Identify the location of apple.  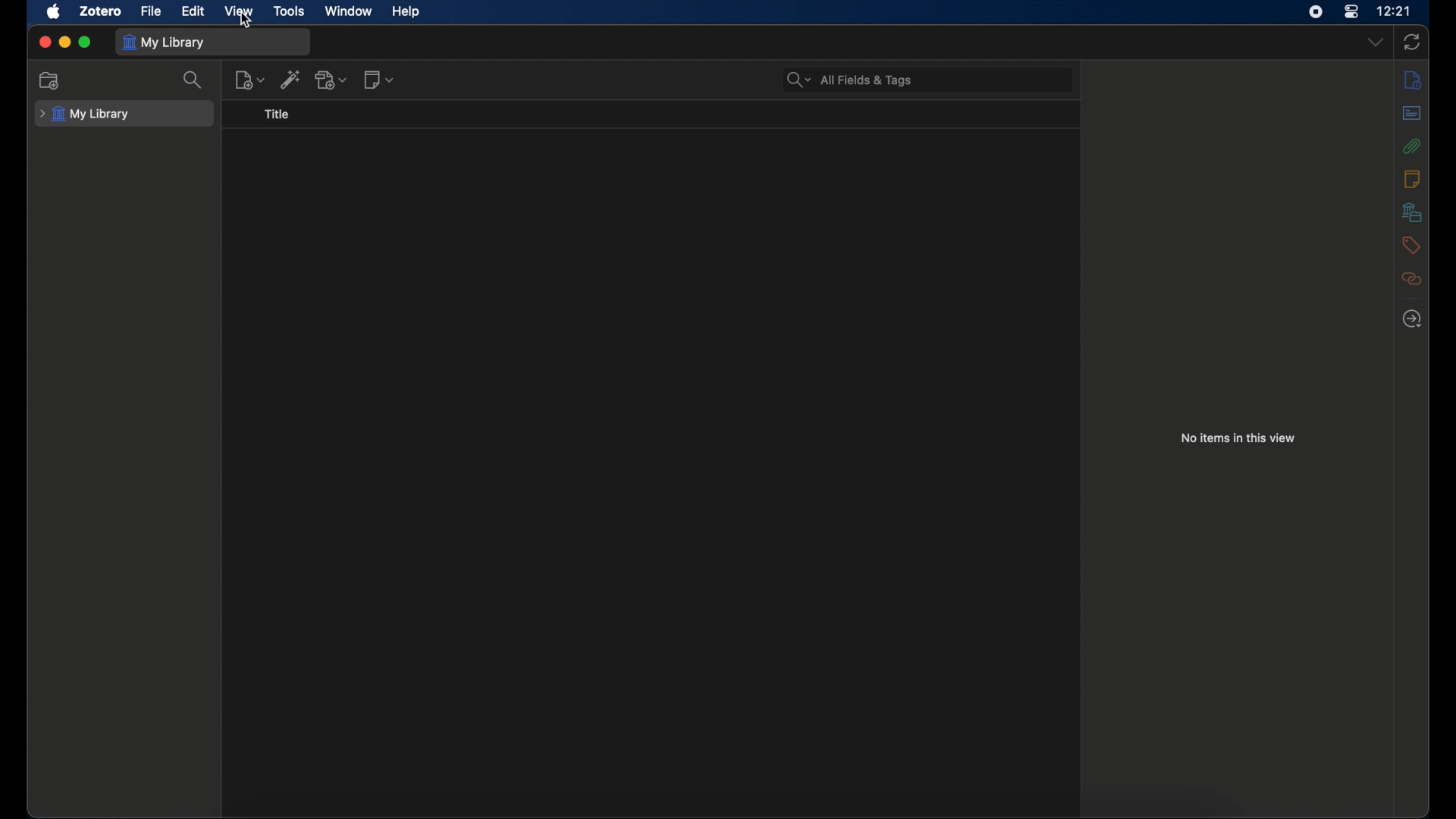
(54, 11).